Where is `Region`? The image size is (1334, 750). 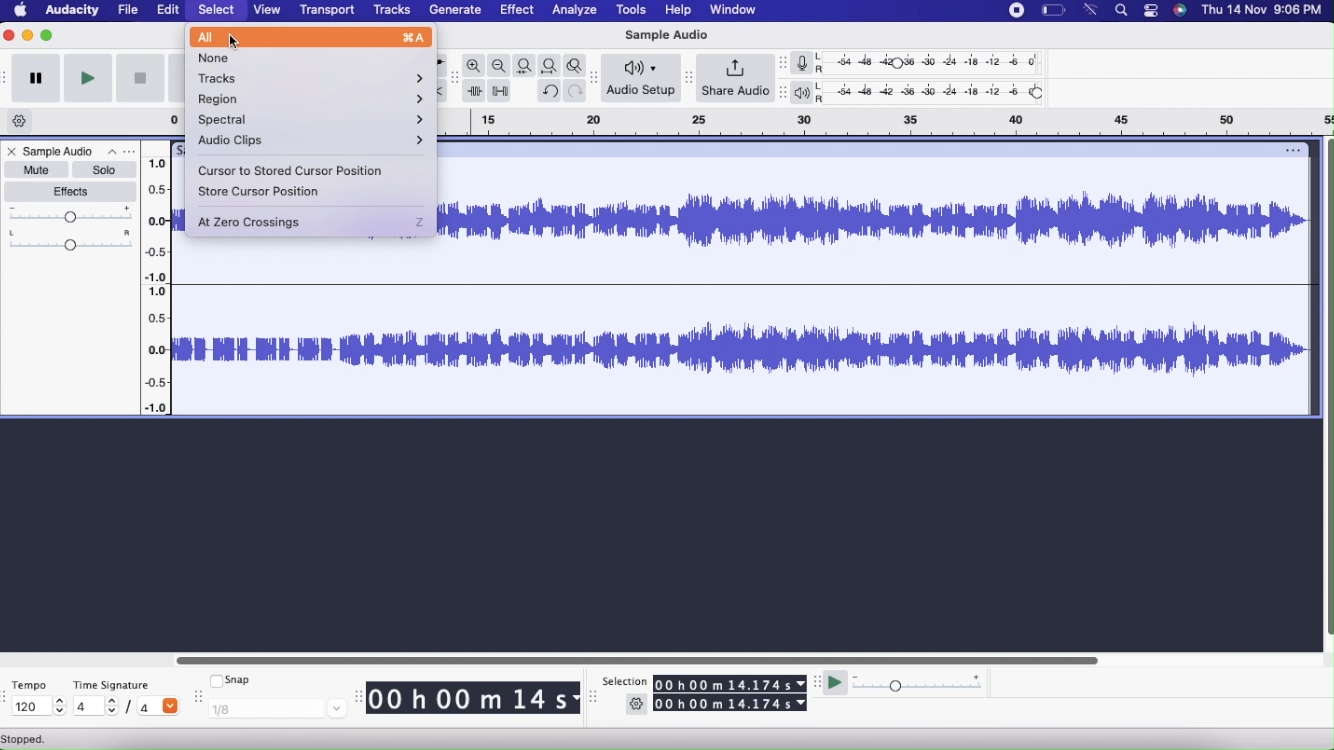 Region is located at coordinates (313, 100).